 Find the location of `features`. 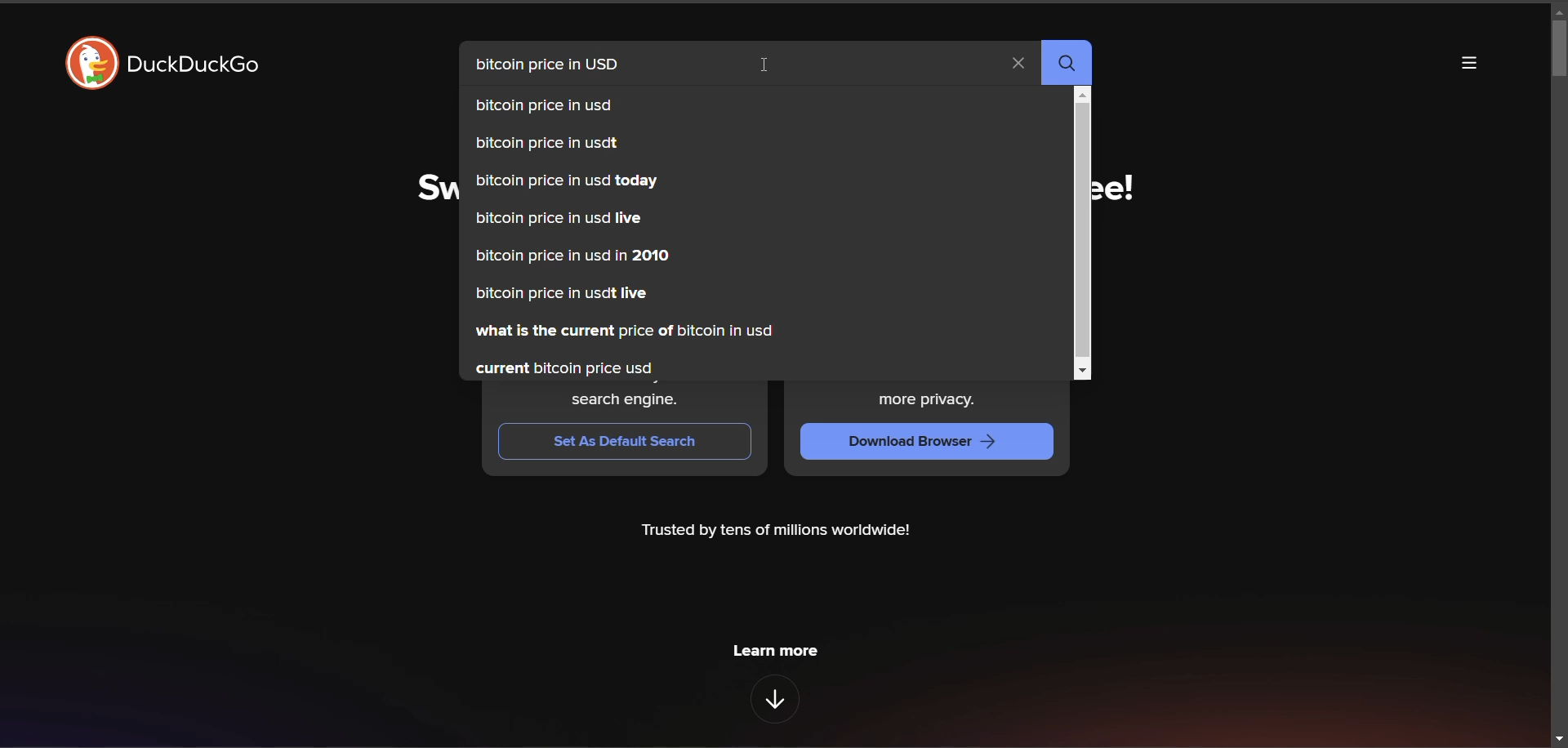

features is located at coordinates (777, 701).